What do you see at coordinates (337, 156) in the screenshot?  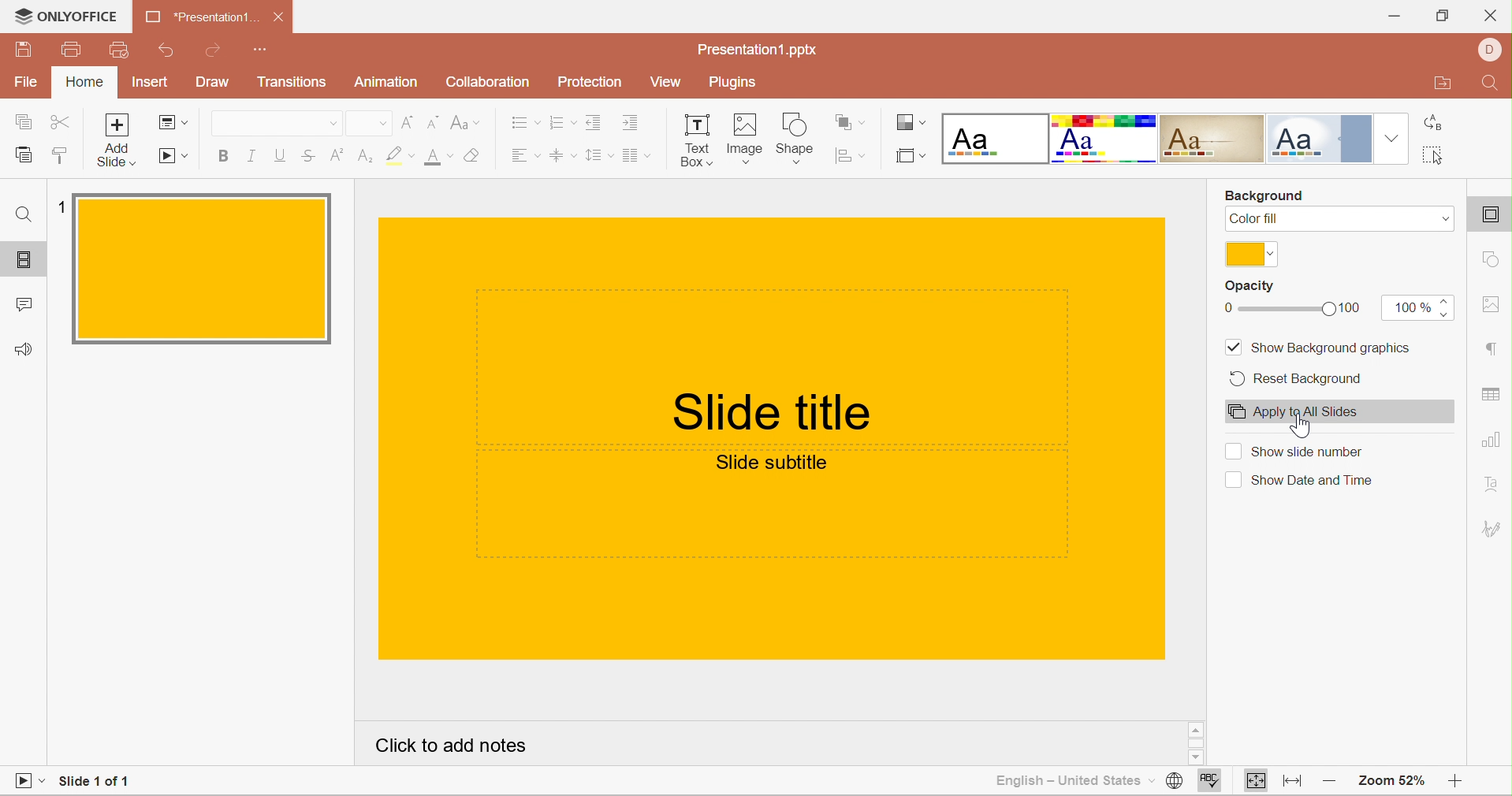 I see `Superscript` at bounding box center [337, 156].